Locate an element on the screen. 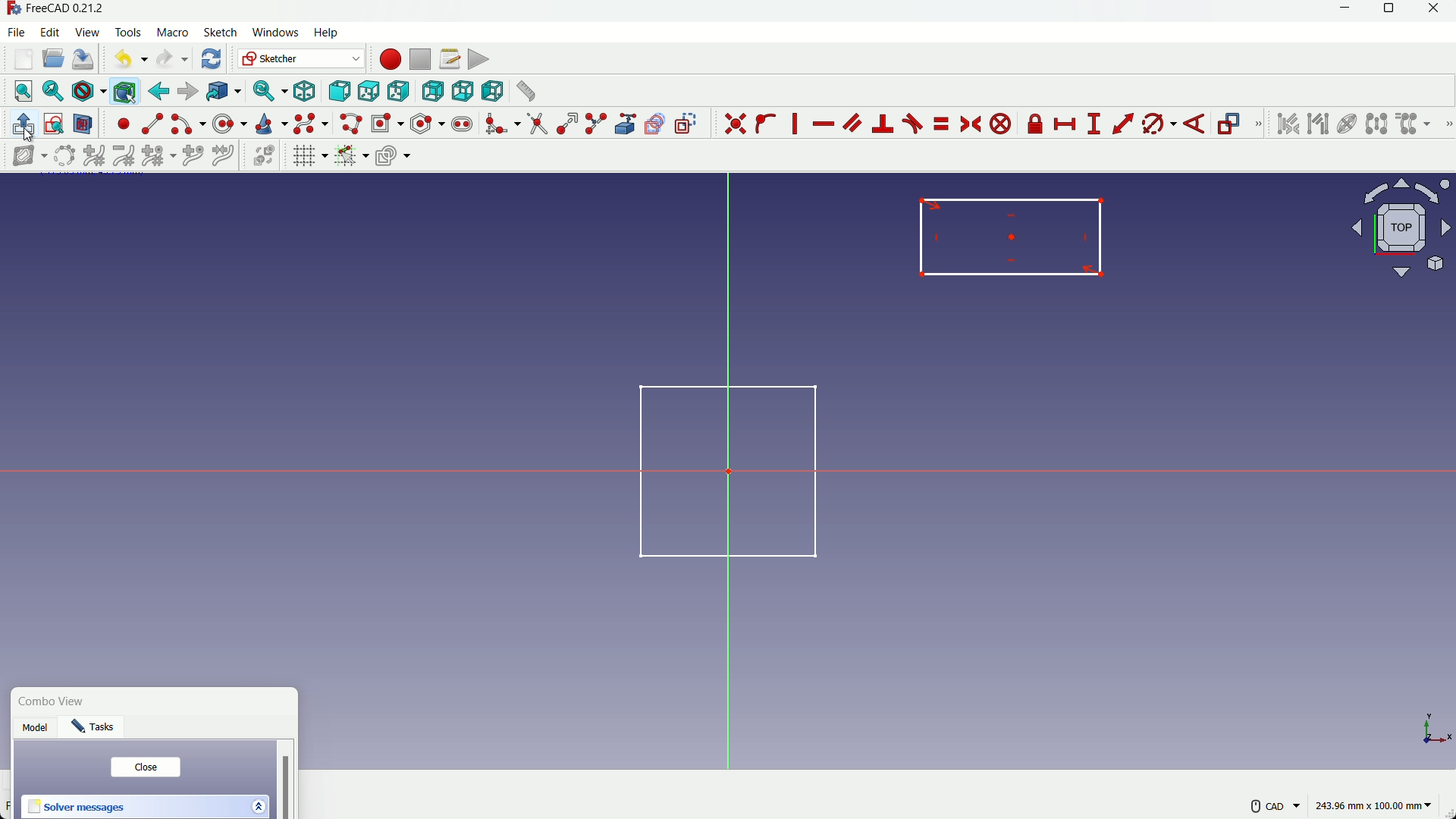  select associated geometry is located at coordinates (1318, 125).